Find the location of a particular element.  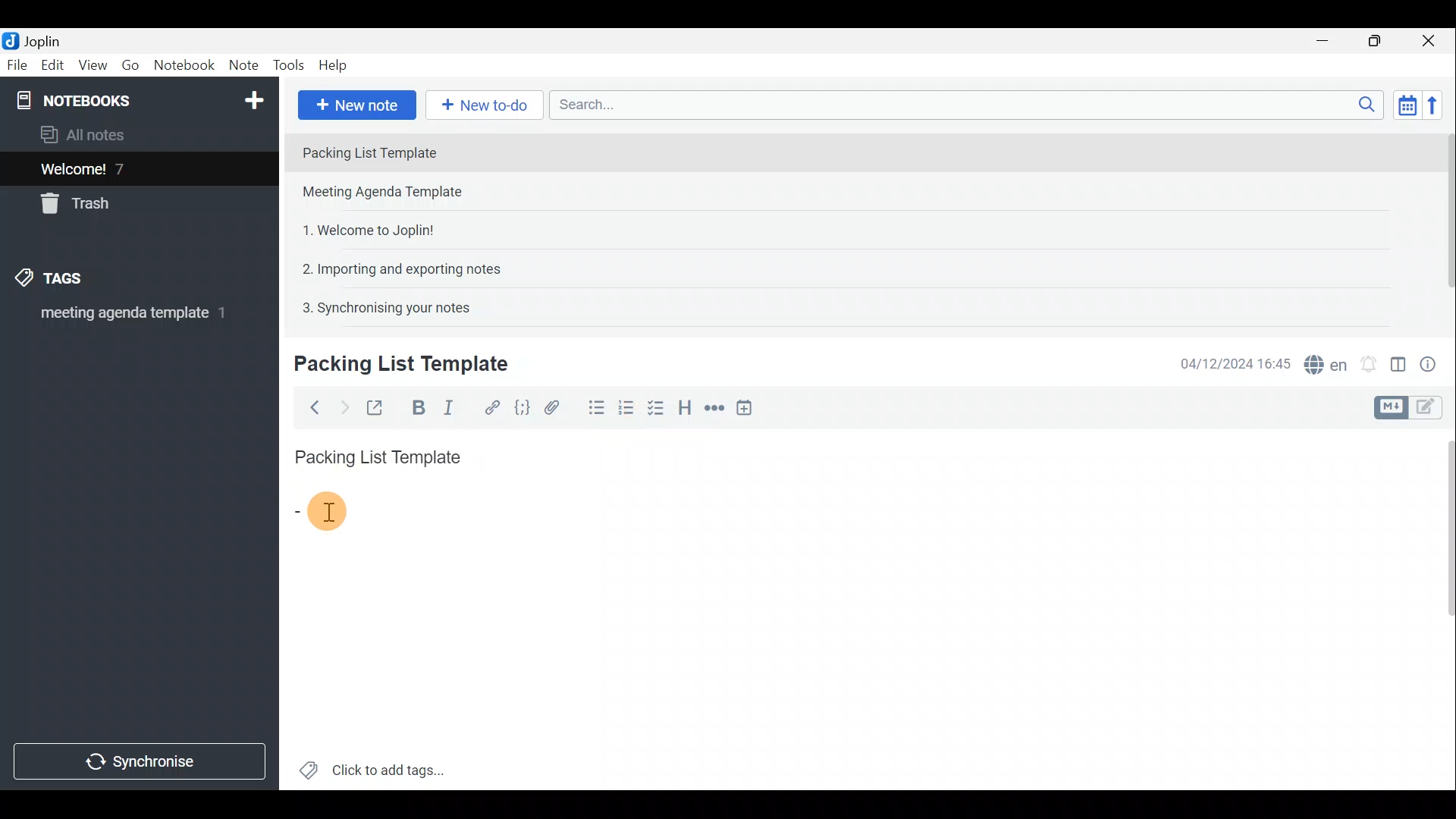

Bold is located at coordinates (416, 406).